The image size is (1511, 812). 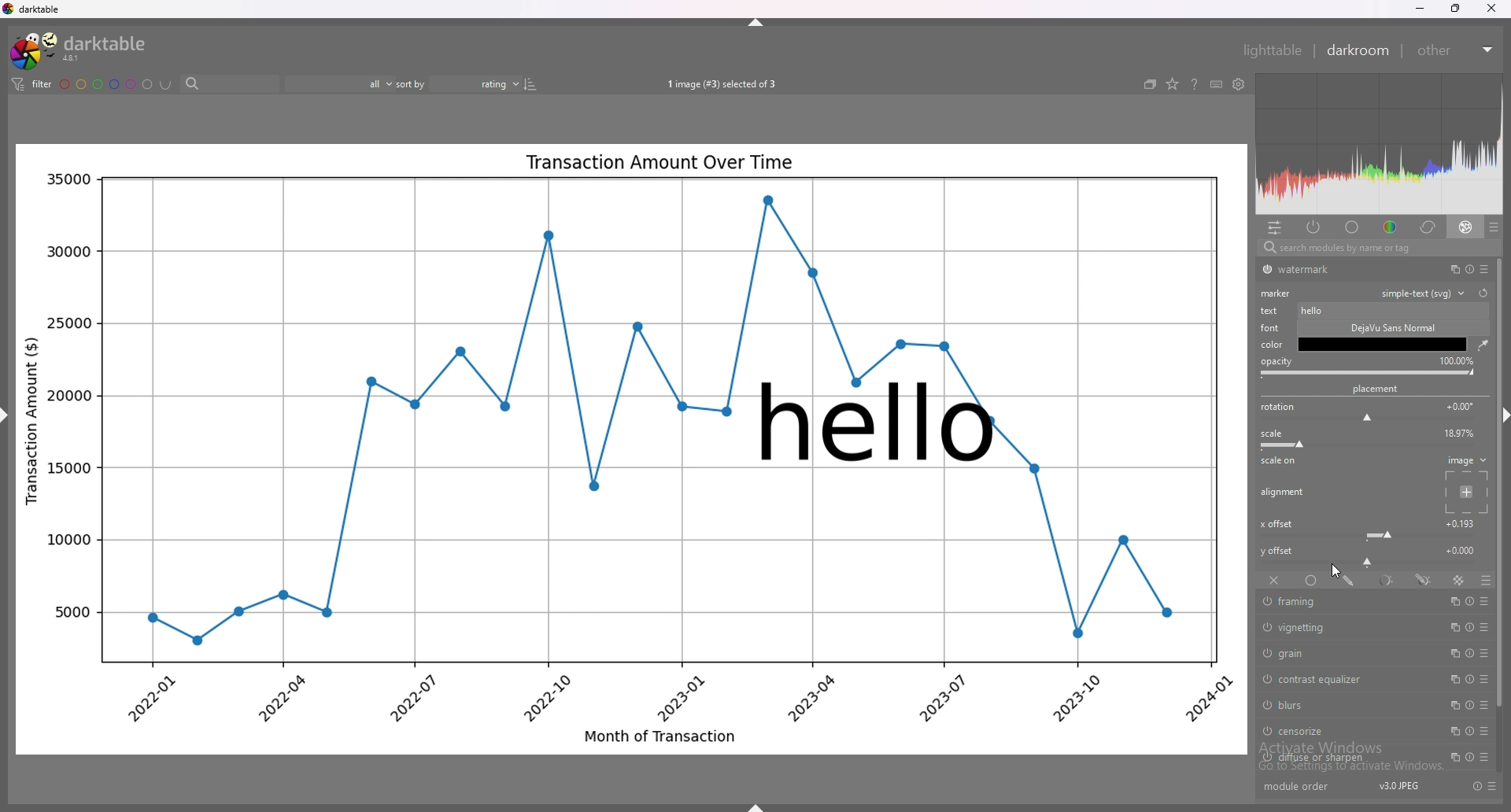 What do you see at coordinates (1265, 733) in the screenshot?
I see `switch off` at bounding box center [1265, 733].